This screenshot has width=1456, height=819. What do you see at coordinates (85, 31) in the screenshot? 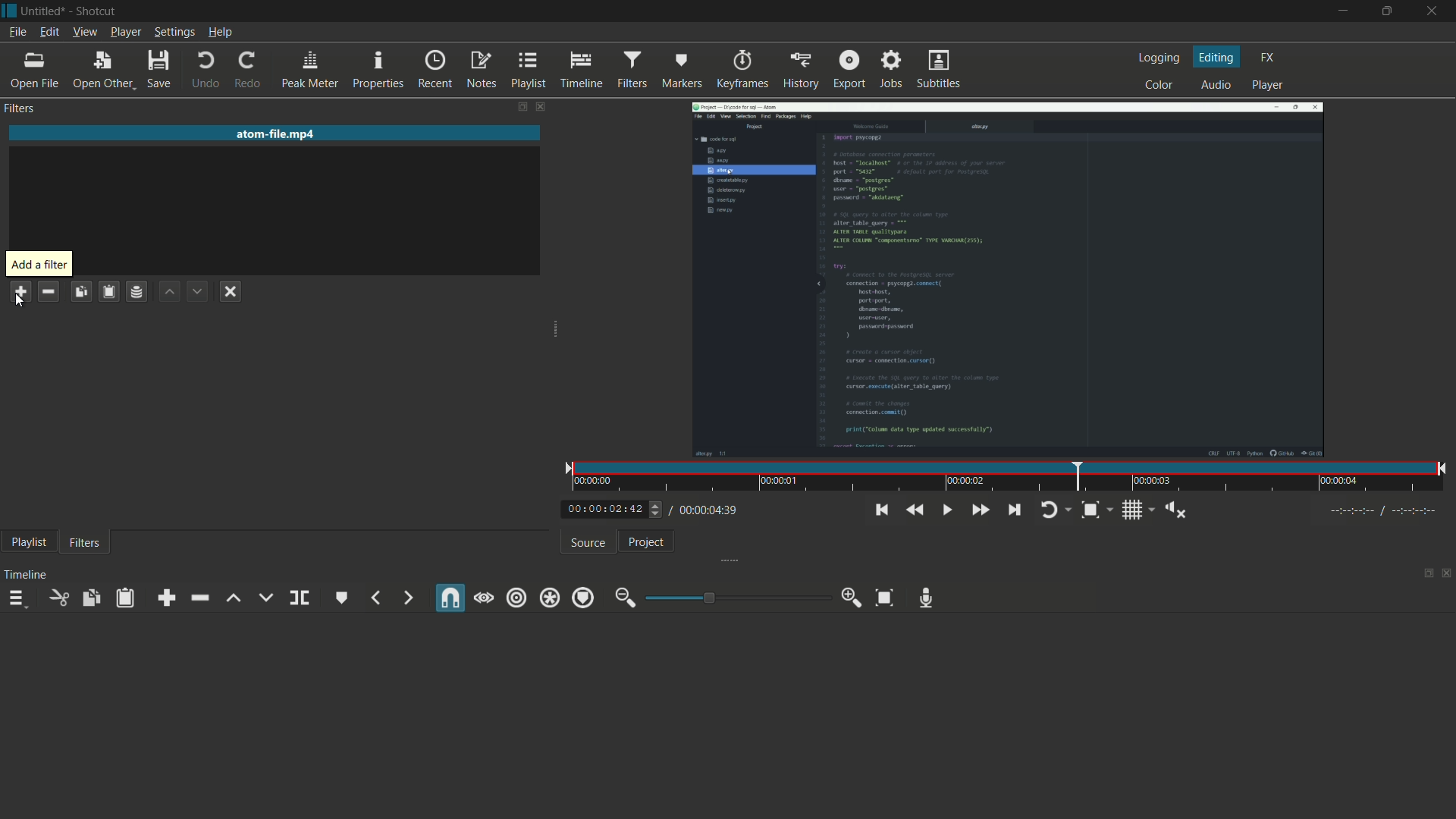
I see `view menu` at bounding box center [85, 31].